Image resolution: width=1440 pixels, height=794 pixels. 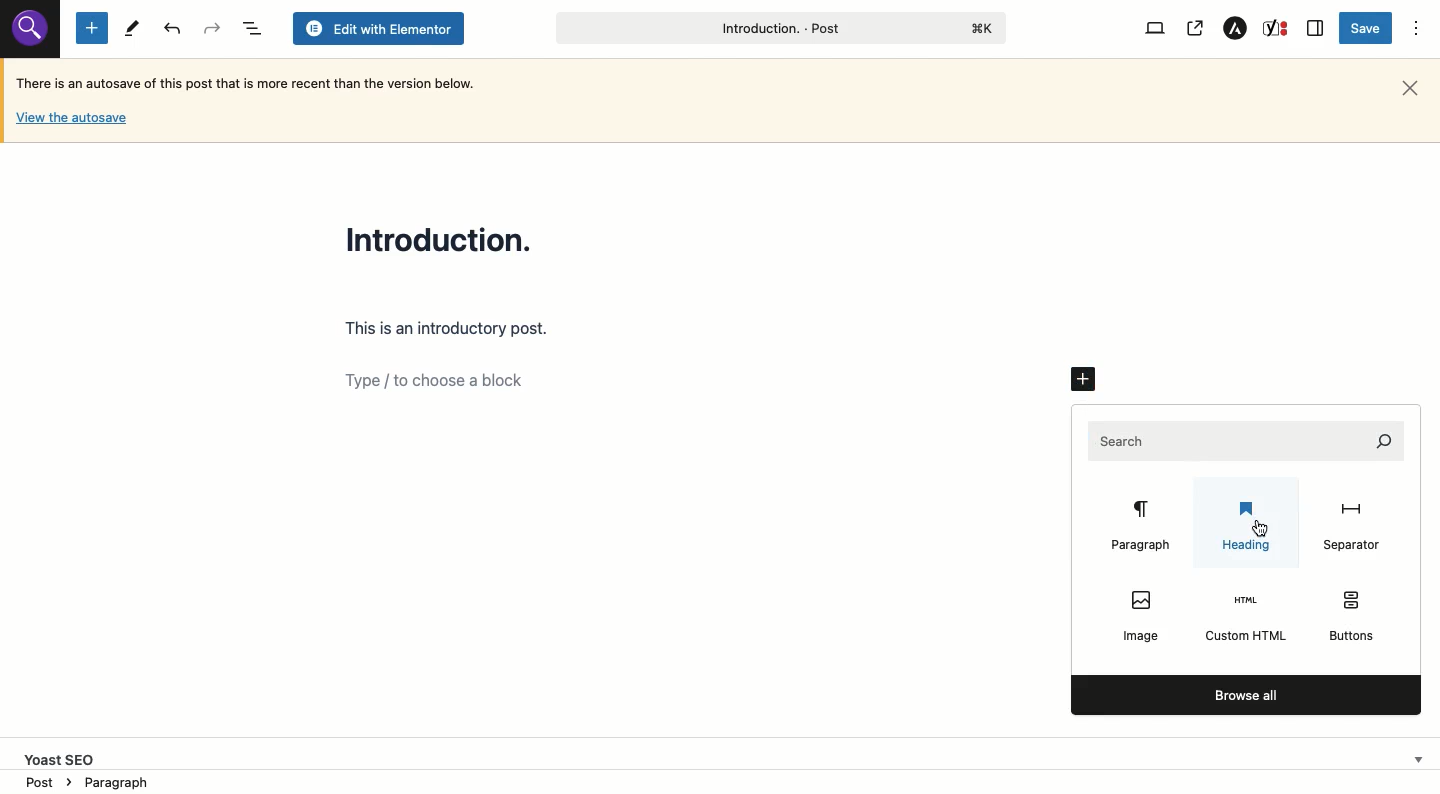 I want to click on This is an introductory post., so click(x=449, y=330).